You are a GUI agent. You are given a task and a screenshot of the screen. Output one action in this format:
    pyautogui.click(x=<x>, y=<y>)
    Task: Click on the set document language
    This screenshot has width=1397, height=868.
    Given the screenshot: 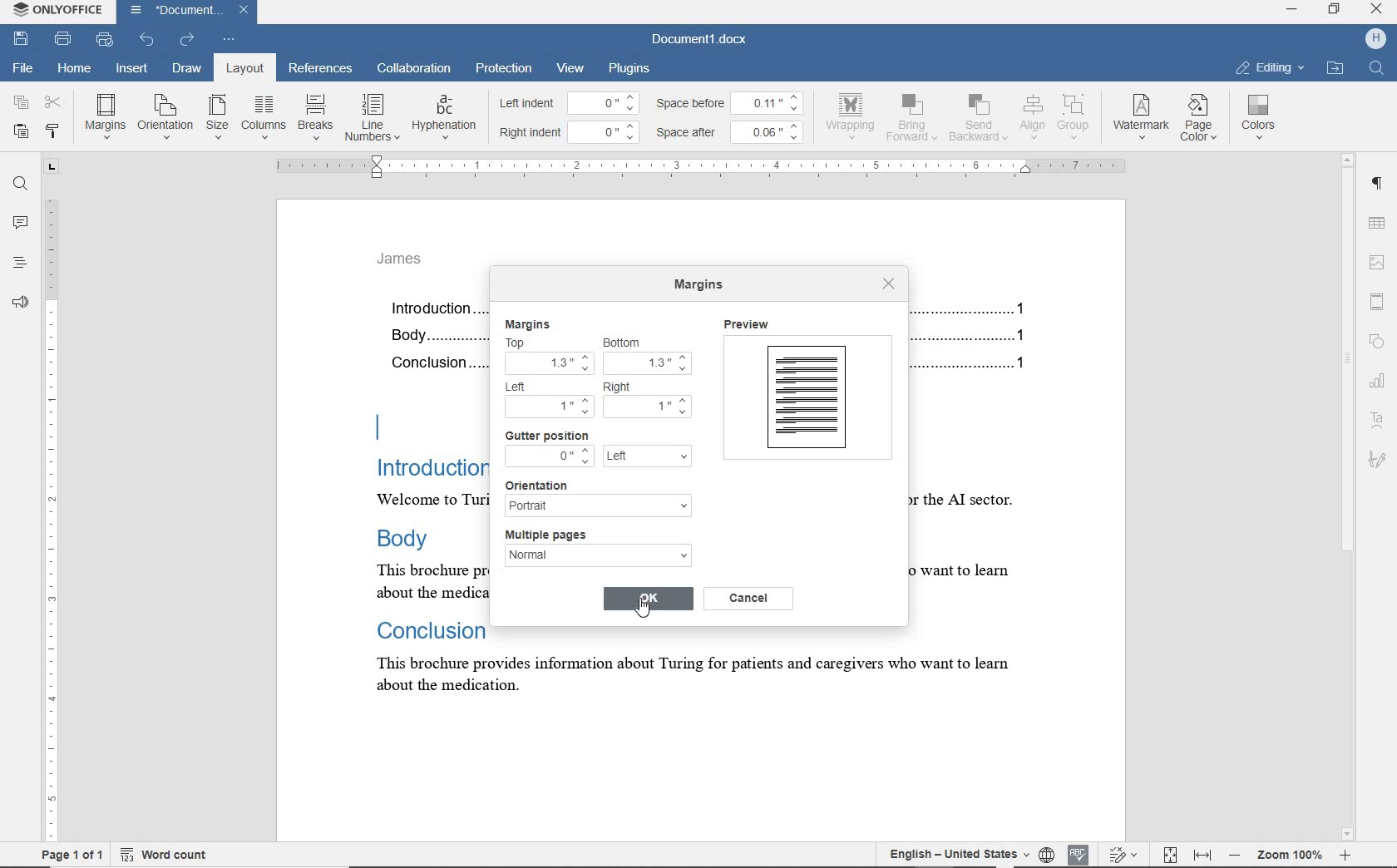 What is the action you would take?
    pyautogui.click(x=1046, y=852)
    